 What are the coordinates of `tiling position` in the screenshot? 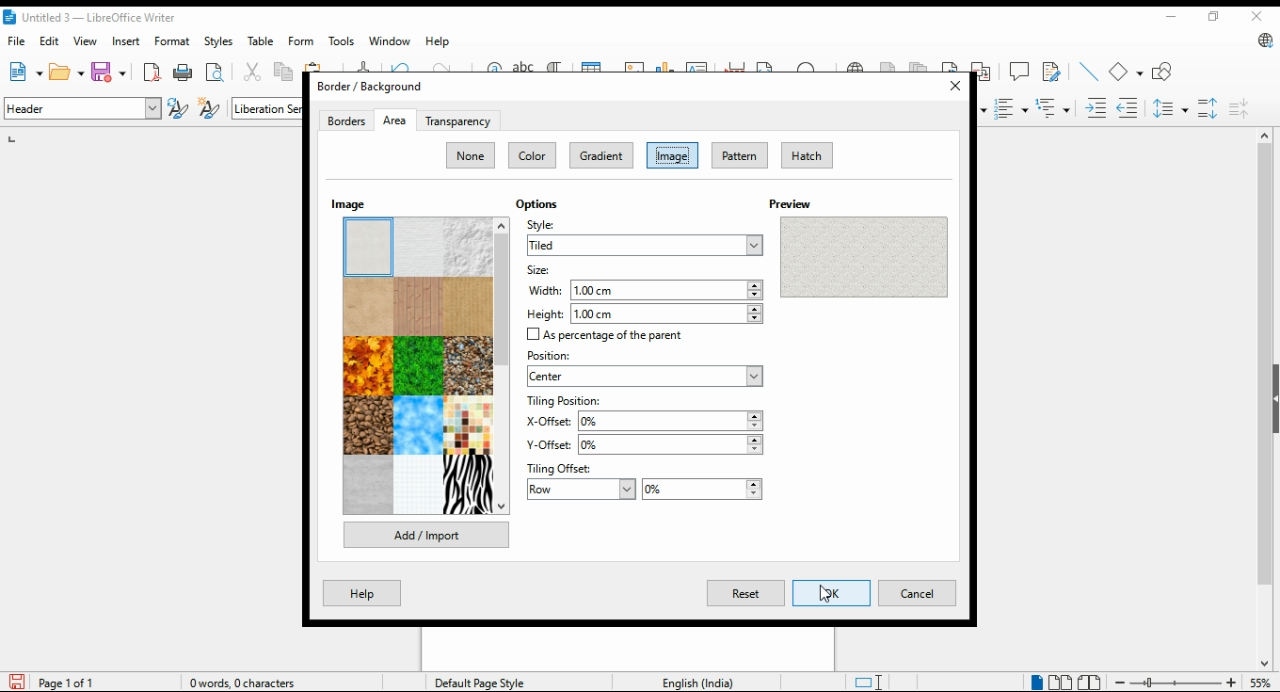 It's located at (574, 401).